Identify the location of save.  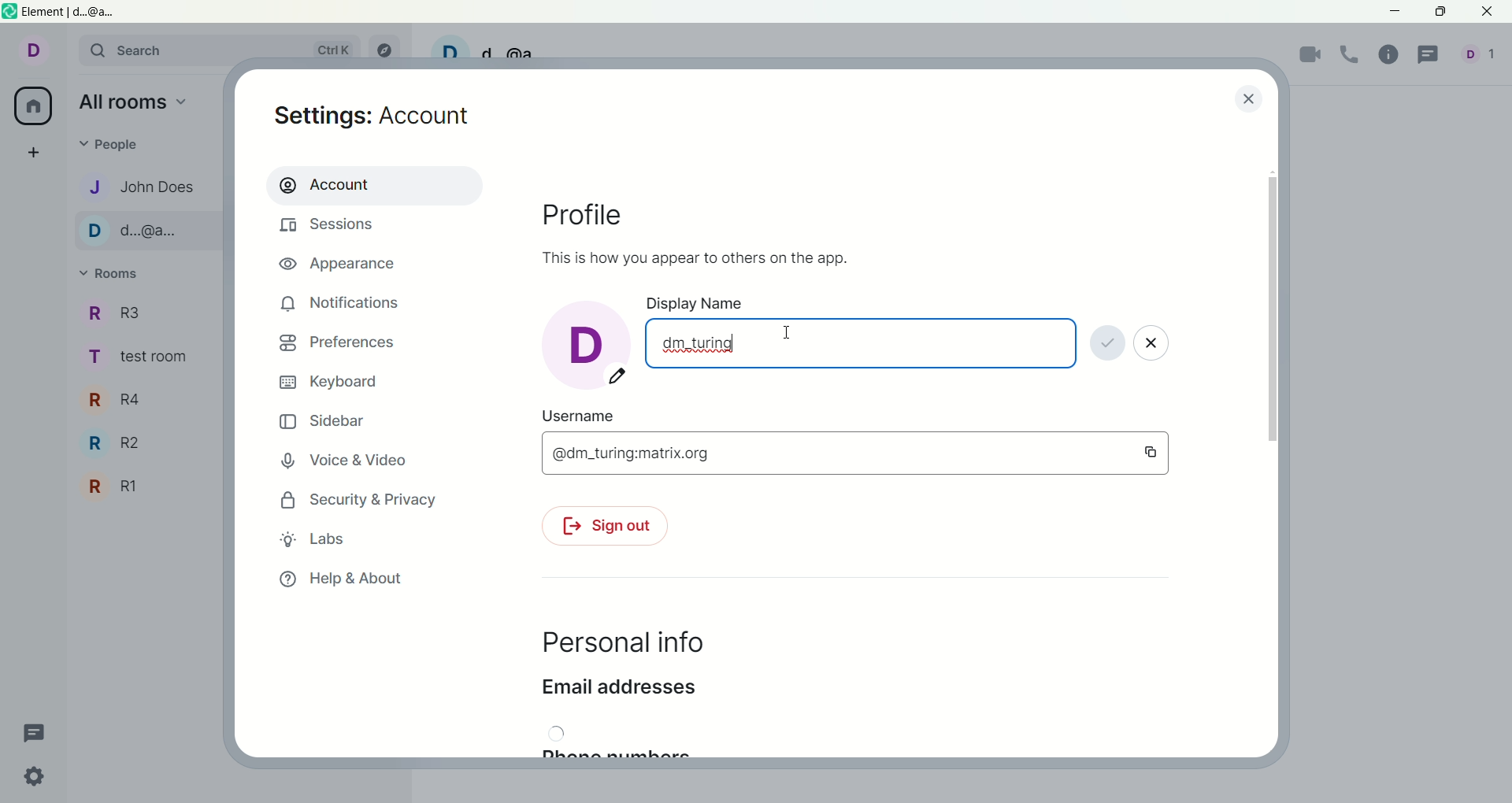
(1107, 345).